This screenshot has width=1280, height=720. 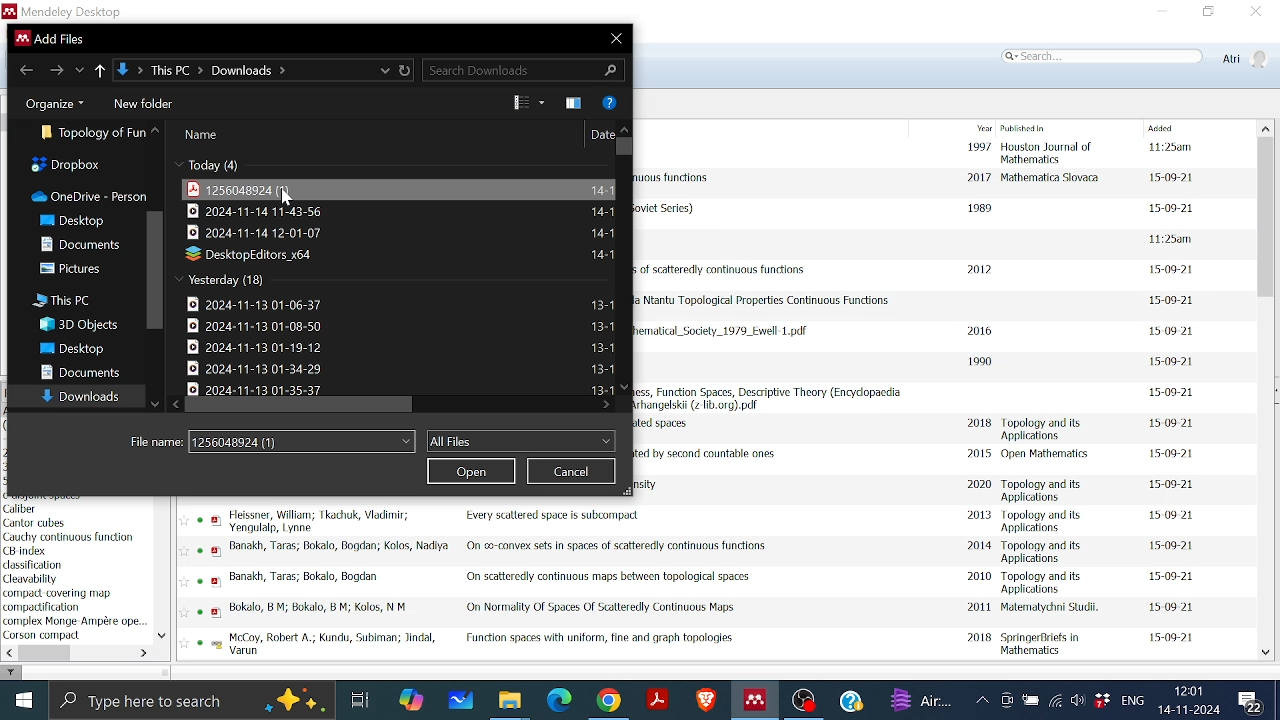 I want to click on Google chrome, so click(x=610, y=700).